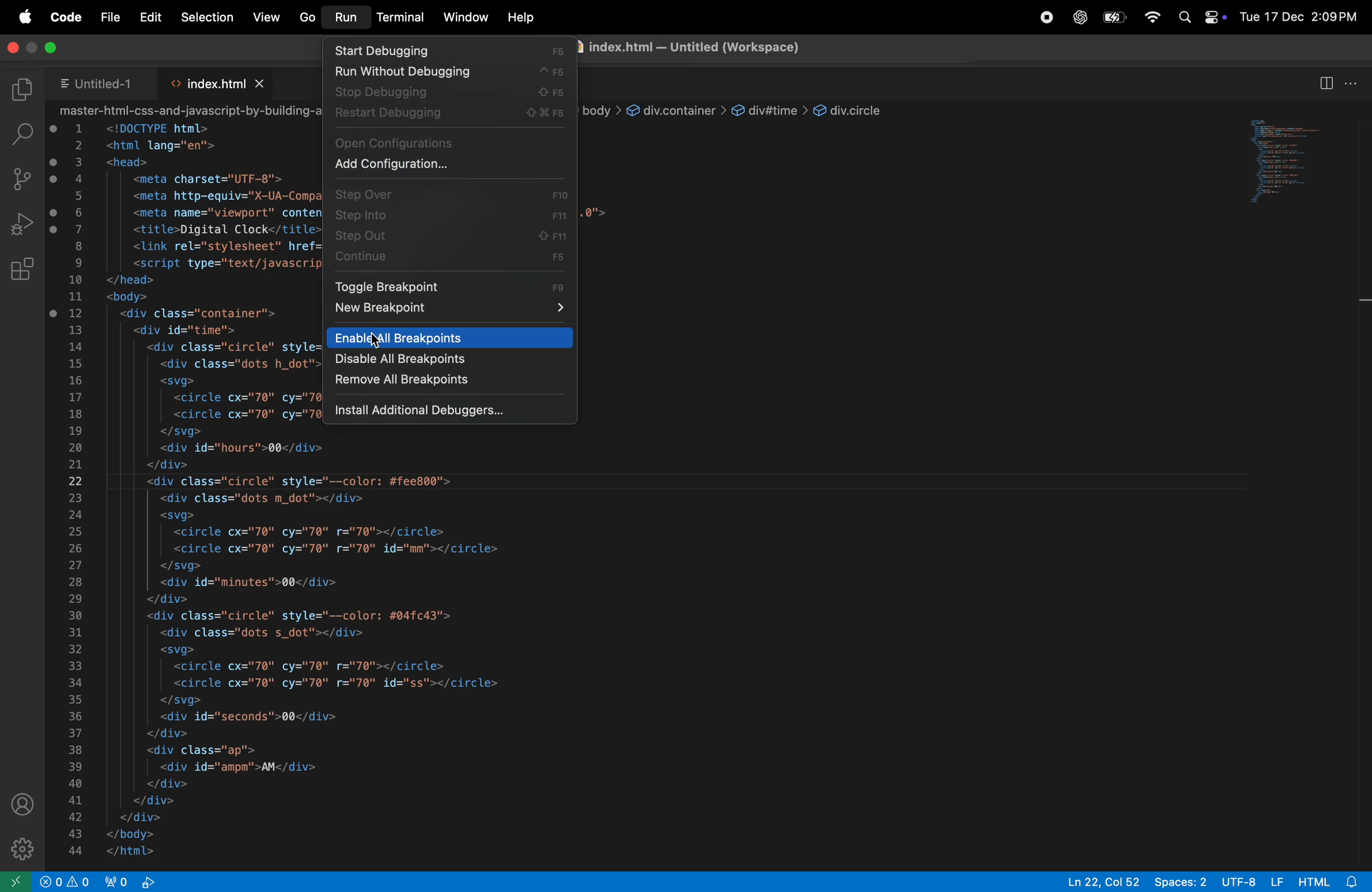  I want to click on stop debuuging, so click(448, 94).